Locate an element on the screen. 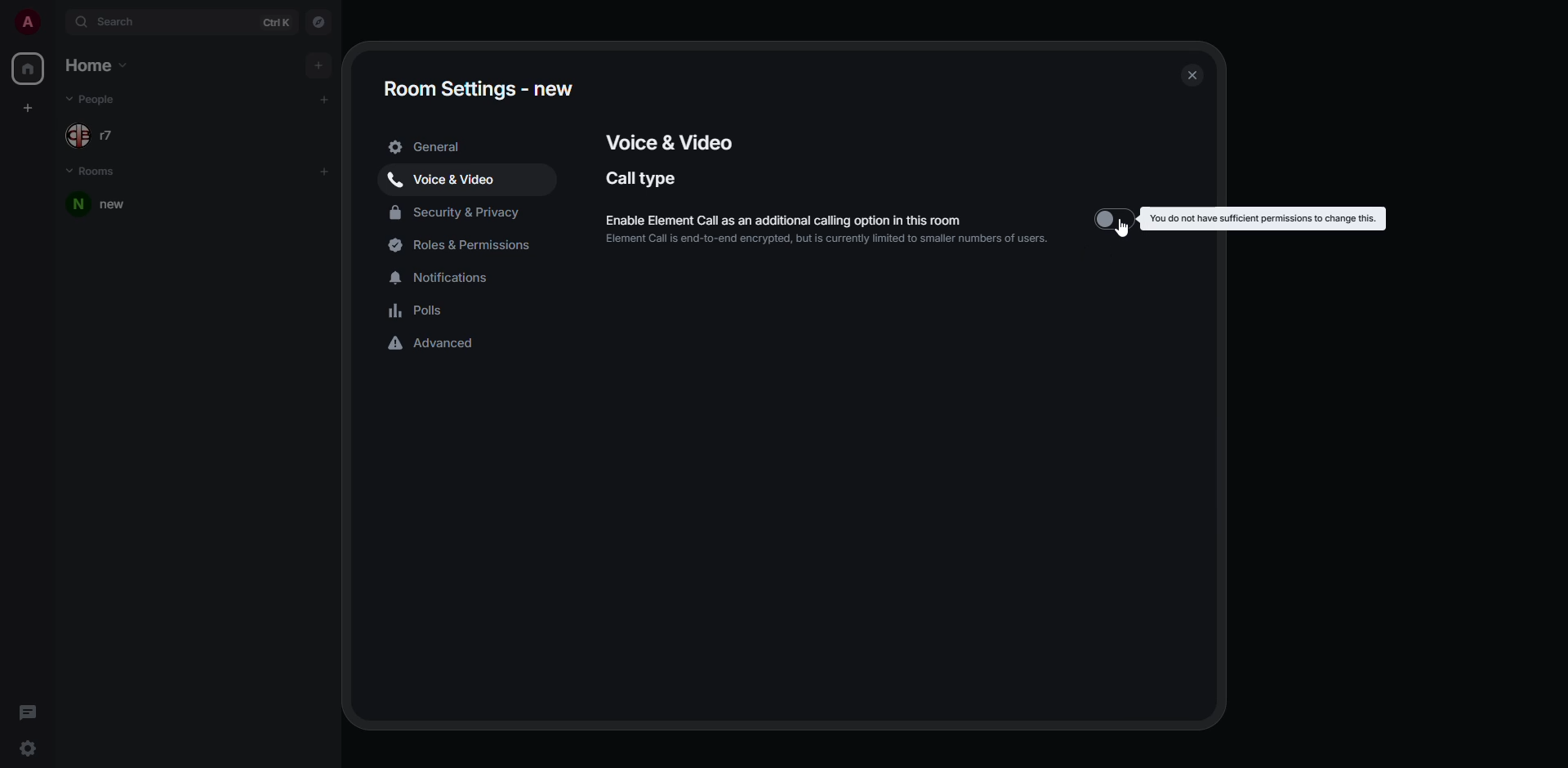  threads is located at coordinates (28, 711).